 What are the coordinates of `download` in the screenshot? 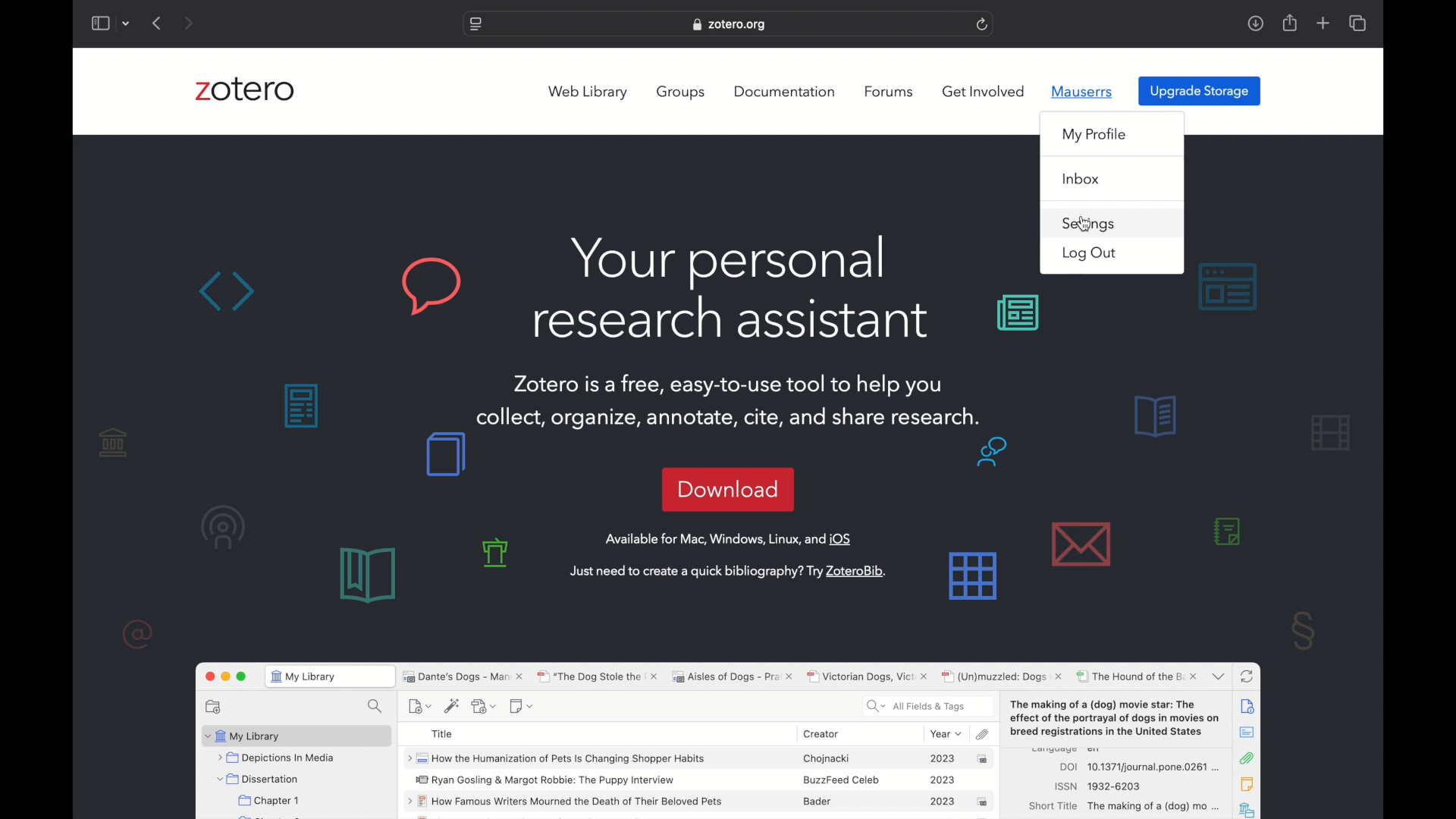 It's located at (728, 488).